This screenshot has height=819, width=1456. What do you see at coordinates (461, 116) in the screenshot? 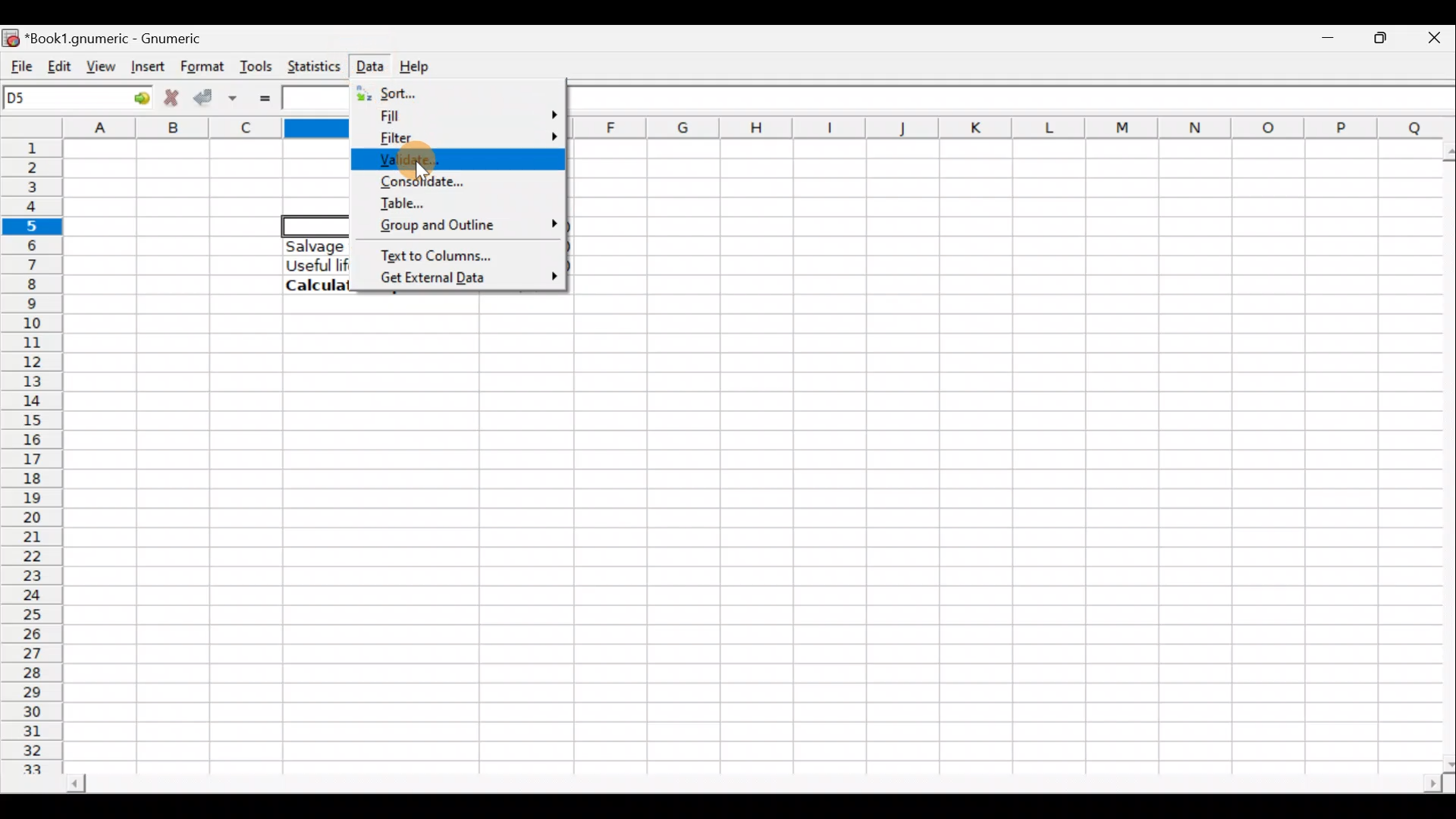
I see `Fill` at bounding box center [461, 116].